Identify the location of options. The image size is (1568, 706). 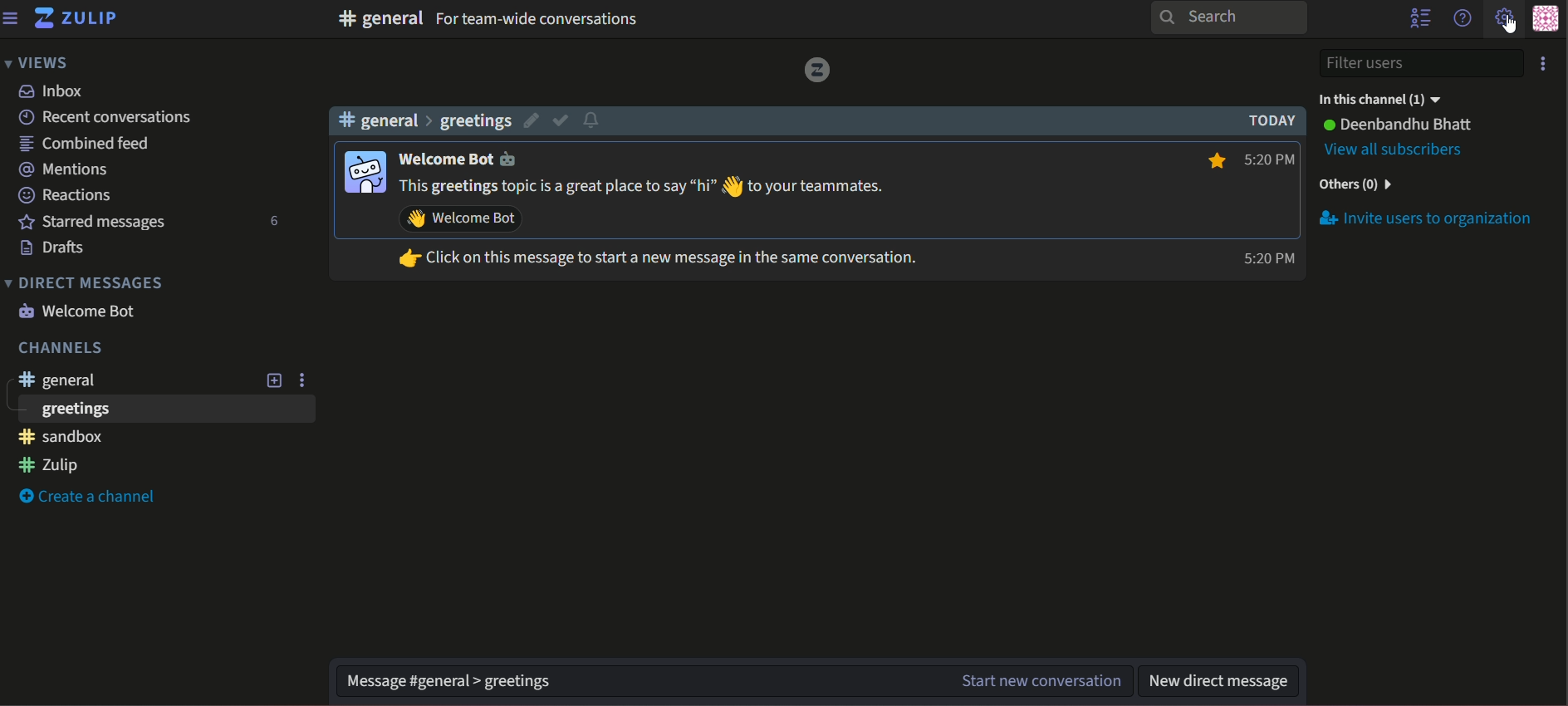
(1542, 64).